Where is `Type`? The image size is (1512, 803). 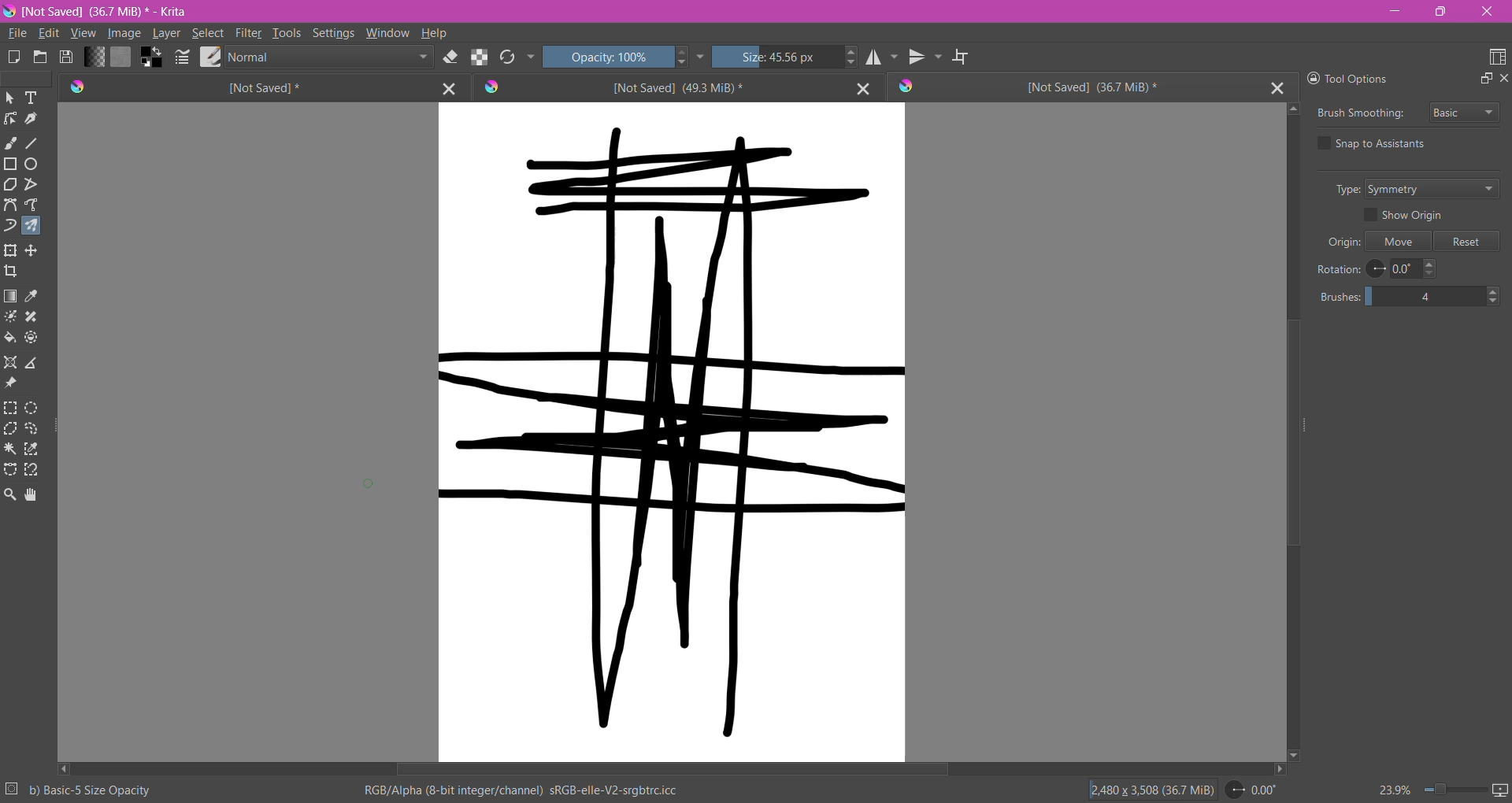
Type is located at coordinates (1343, 189).